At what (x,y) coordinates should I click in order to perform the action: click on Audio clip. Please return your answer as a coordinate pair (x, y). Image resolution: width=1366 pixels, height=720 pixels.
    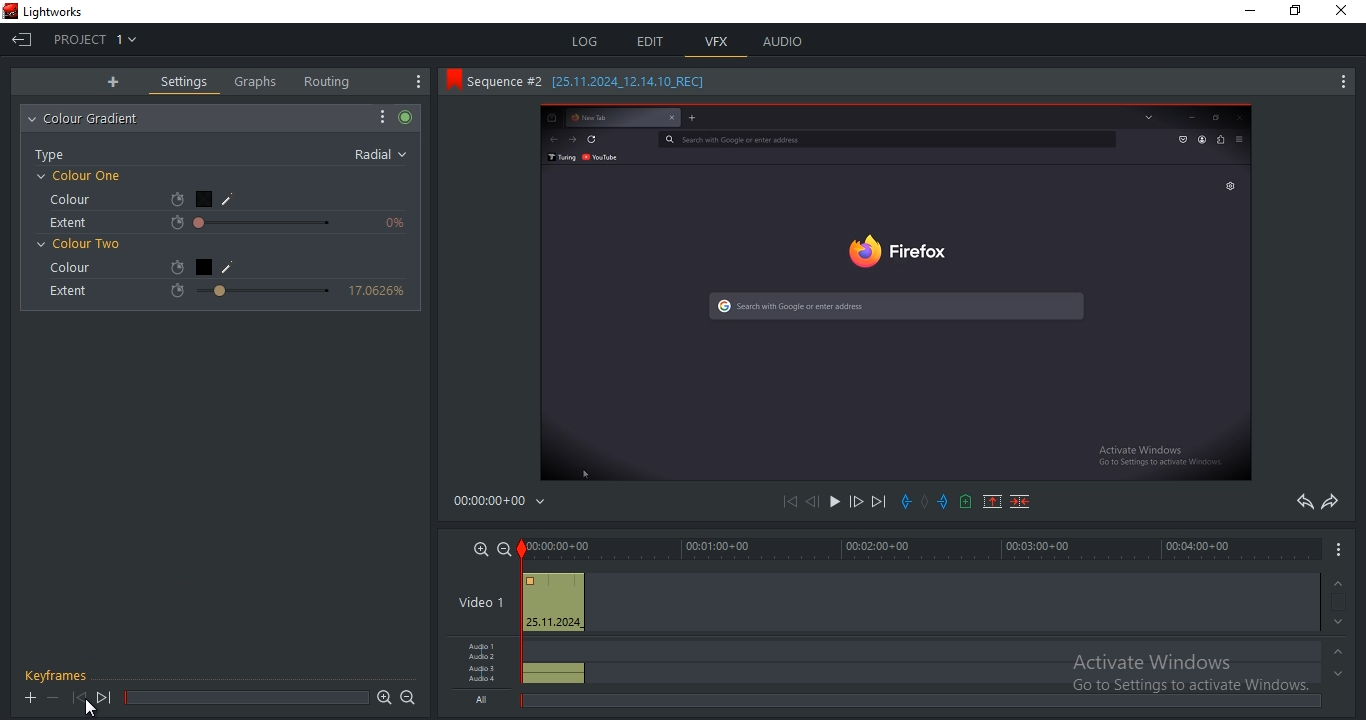
    Looking at the image, I should click on (555, 667).